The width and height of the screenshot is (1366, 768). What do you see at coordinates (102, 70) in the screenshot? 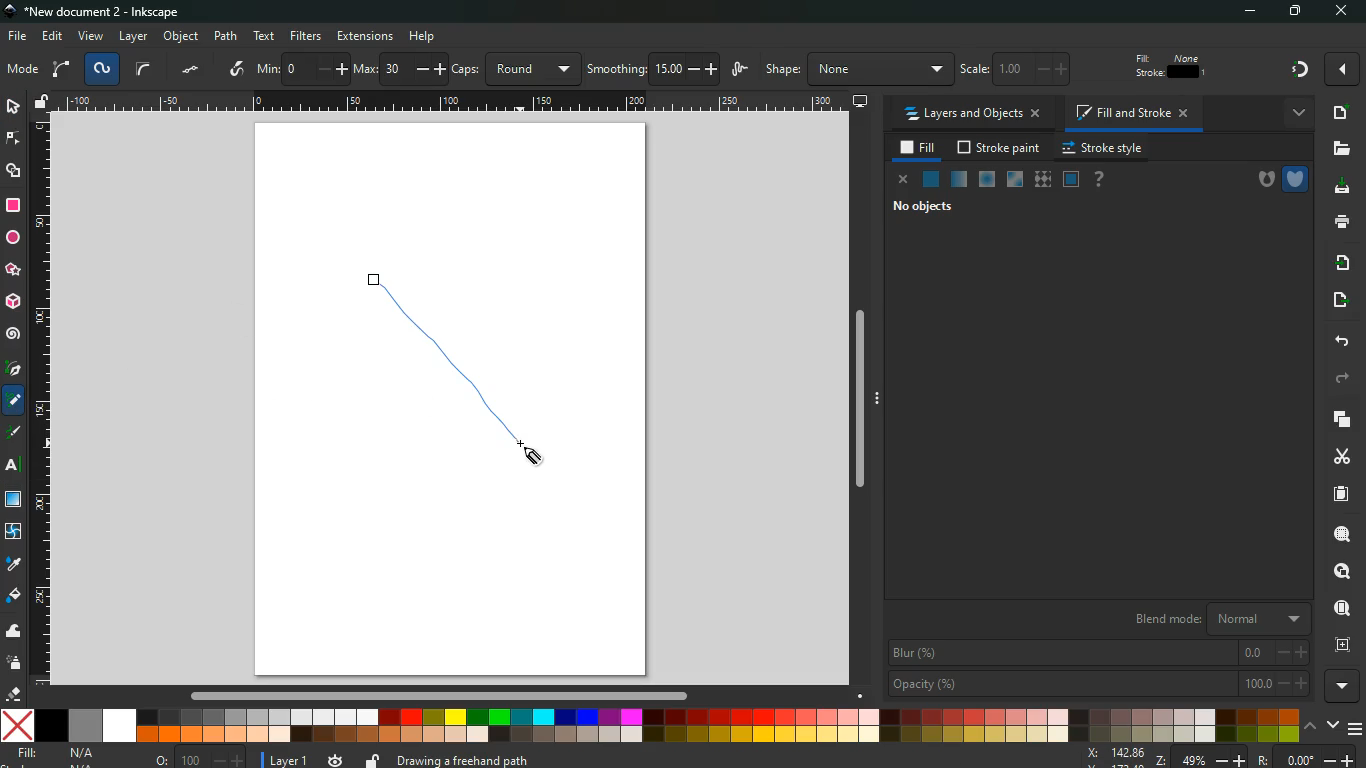
I see `spyro path` at bounding box center [102, 70].